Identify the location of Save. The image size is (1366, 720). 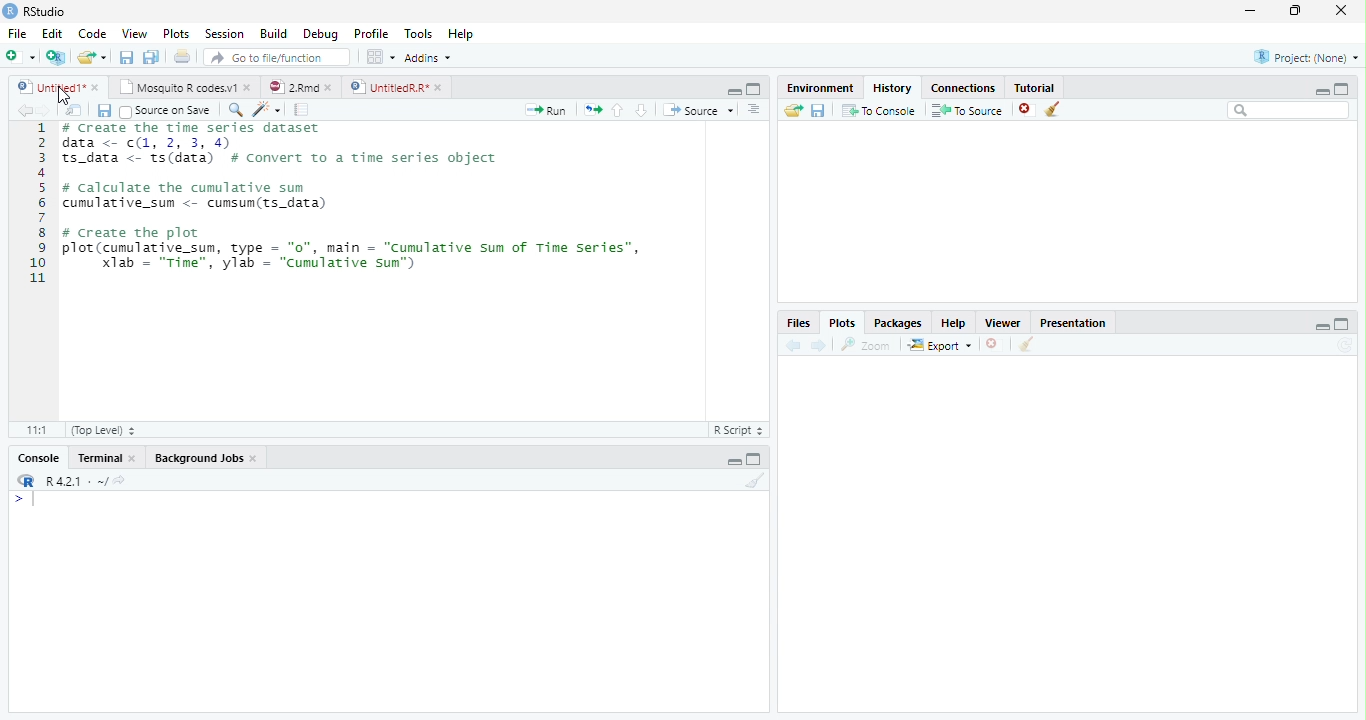
(126, 59).